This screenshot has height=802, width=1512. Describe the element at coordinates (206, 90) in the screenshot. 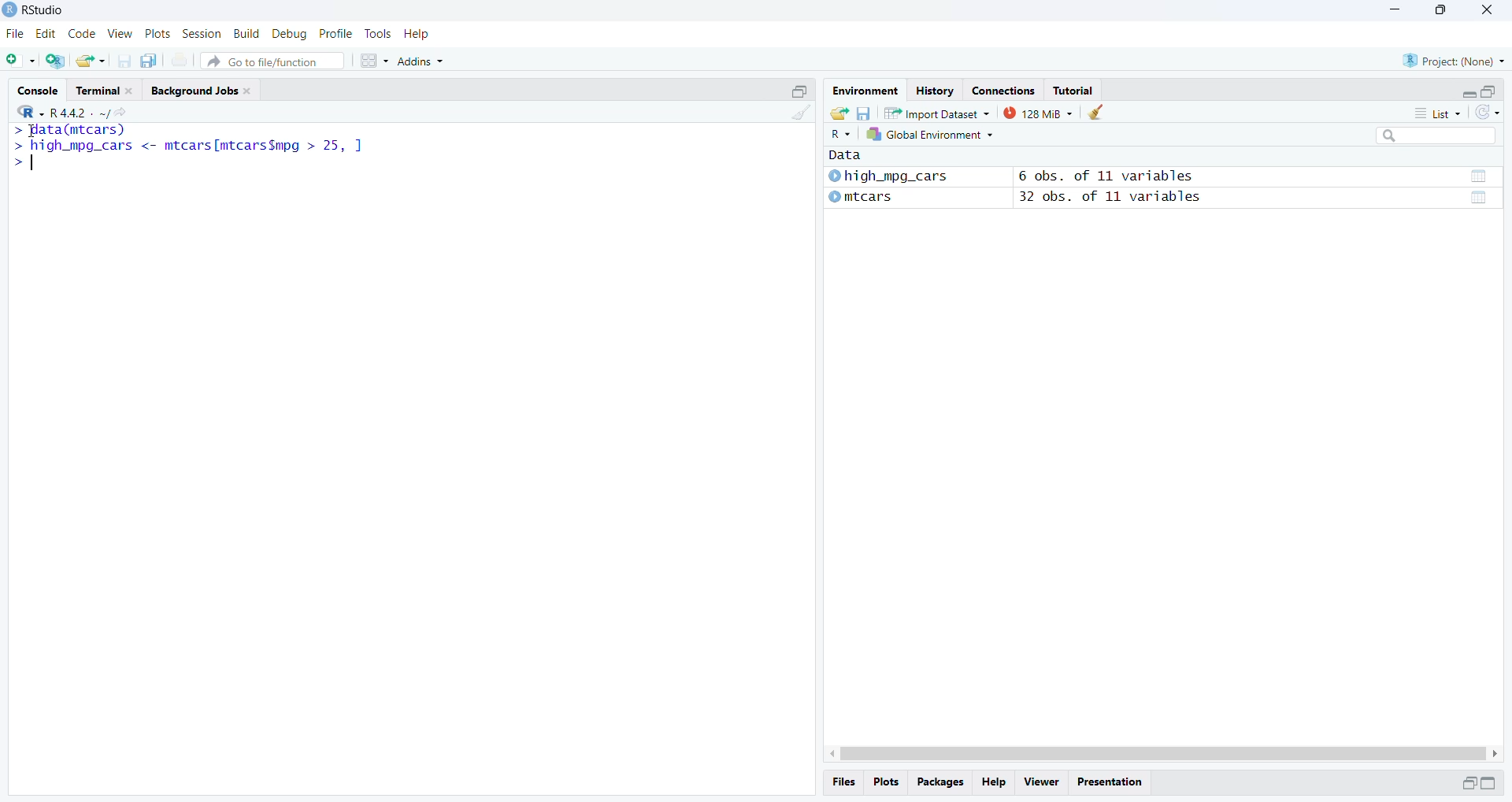

I see `Background Jobs` at that location.